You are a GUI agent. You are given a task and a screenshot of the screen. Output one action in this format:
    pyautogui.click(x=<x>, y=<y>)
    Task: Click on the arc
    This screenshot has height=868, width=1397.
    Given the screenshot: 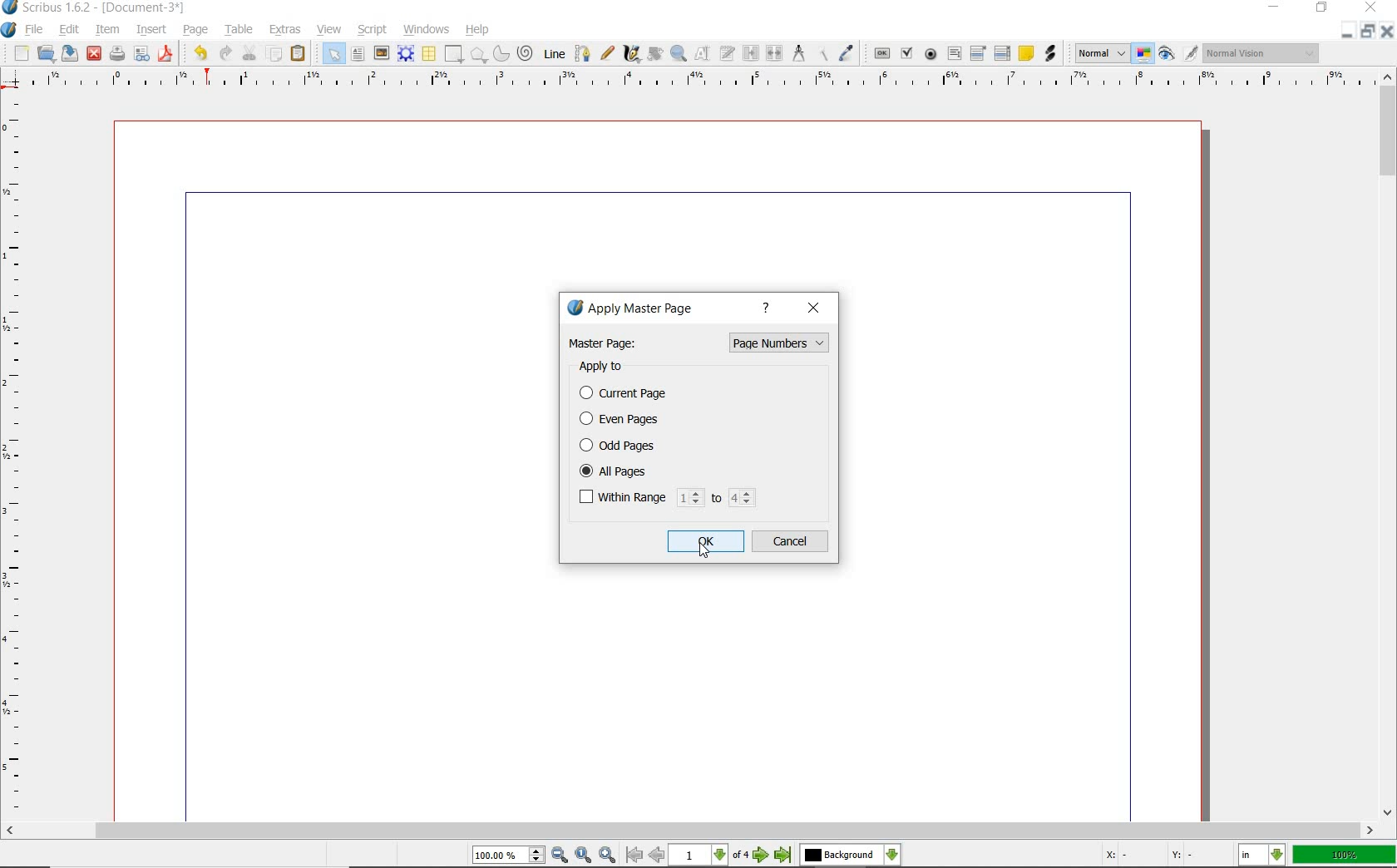 What is the action you would take?
    pyautogui.click(x=500, y=53)
    